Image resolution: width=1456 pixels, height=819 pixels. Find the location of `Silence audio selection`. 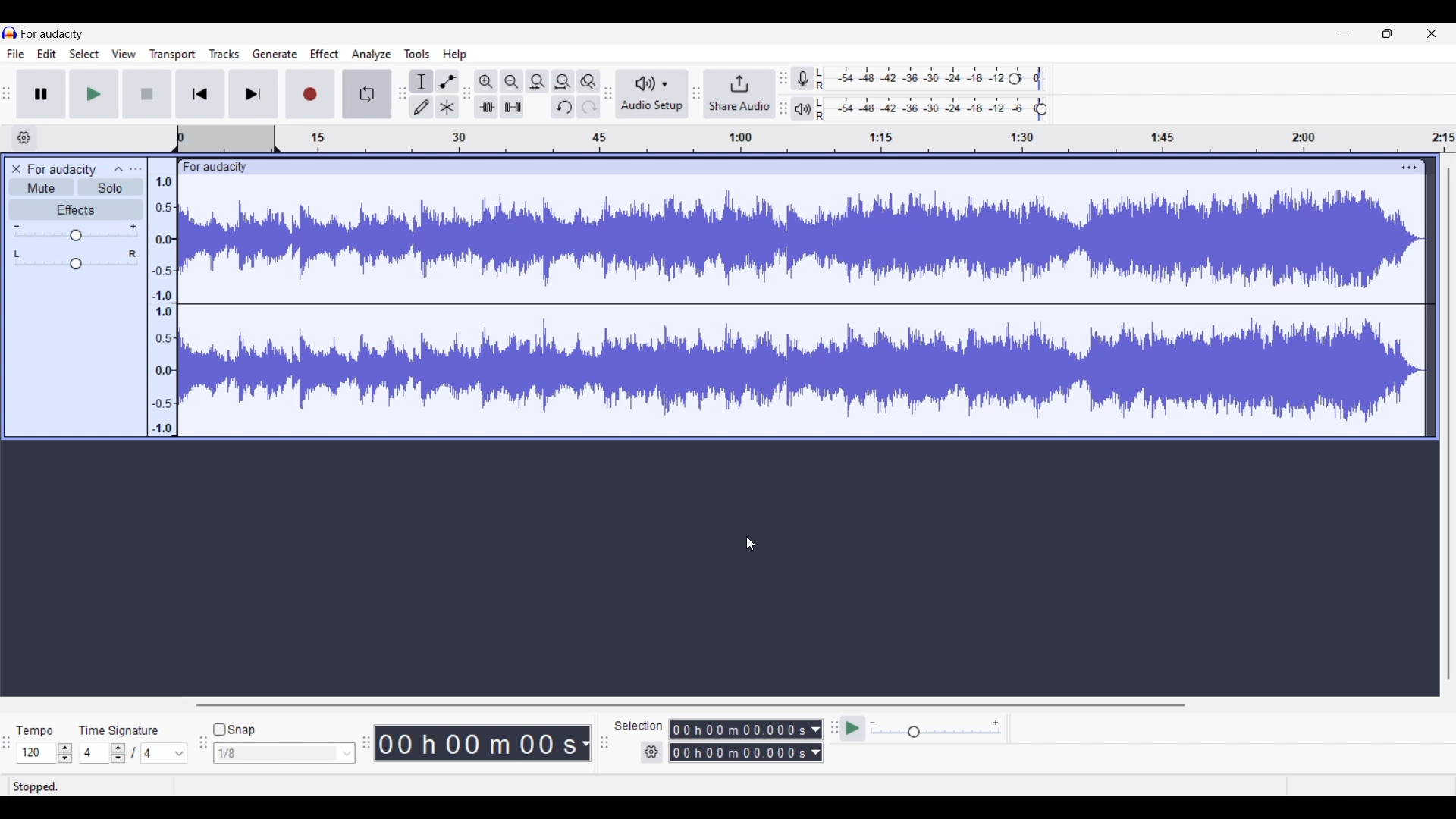

Silence audio selection is located at coordinates (513, 107).